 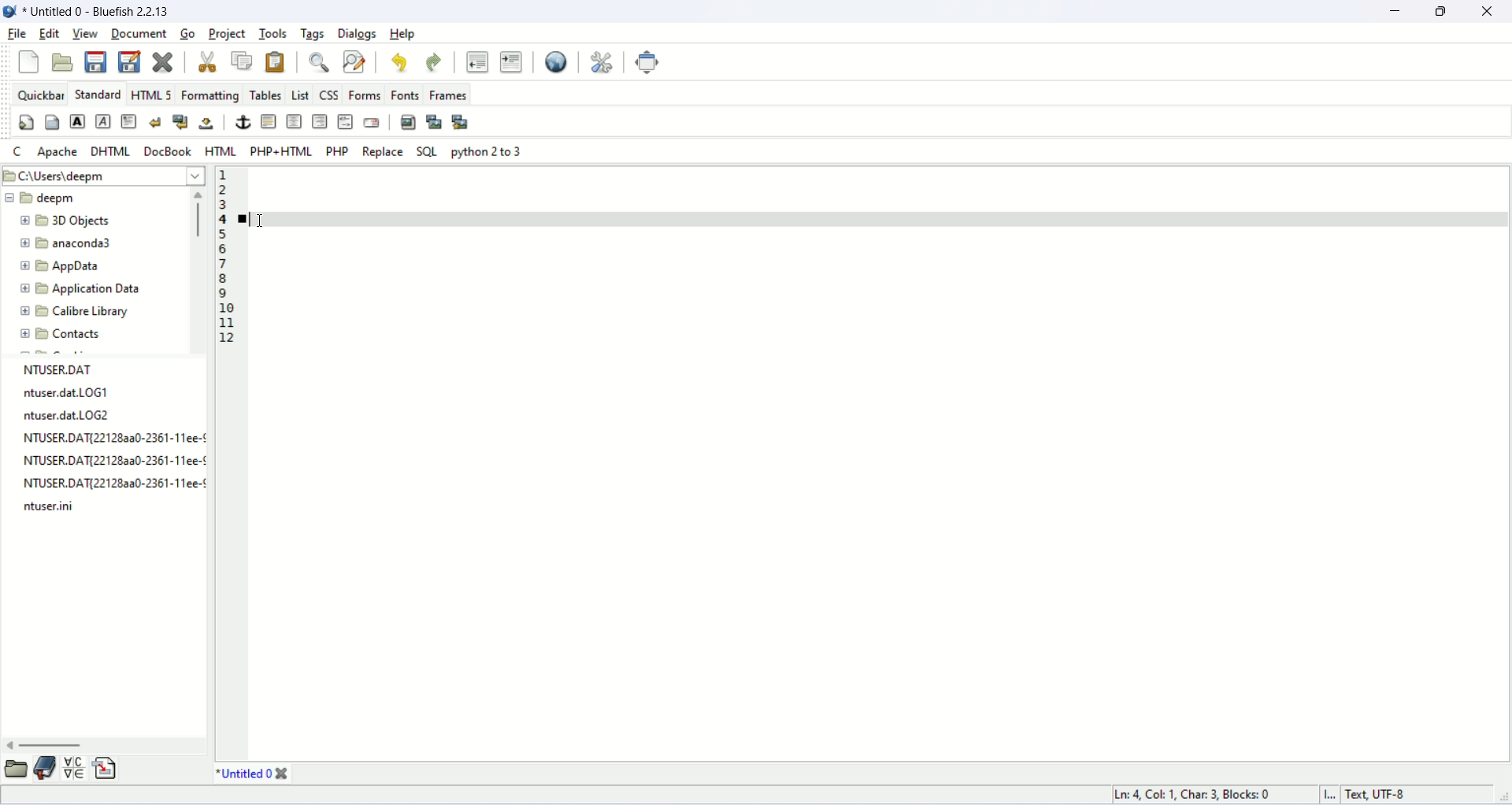 What do you see at coordinates (245, 219) in the screenshot?
I see `bookmark` at bounding box center [245, 219].